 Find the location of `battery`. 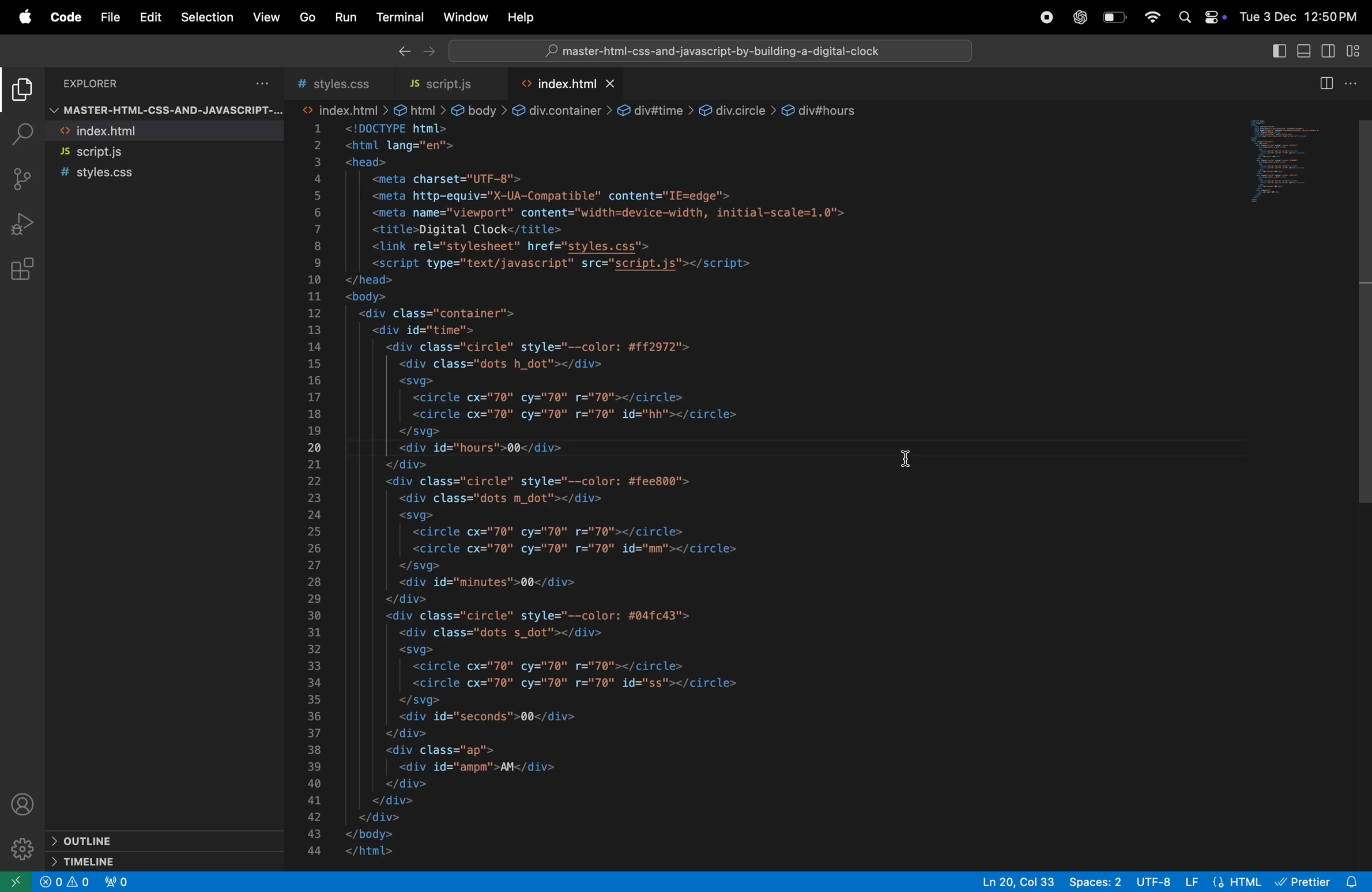

battery is located at coordinates (1117, 17).